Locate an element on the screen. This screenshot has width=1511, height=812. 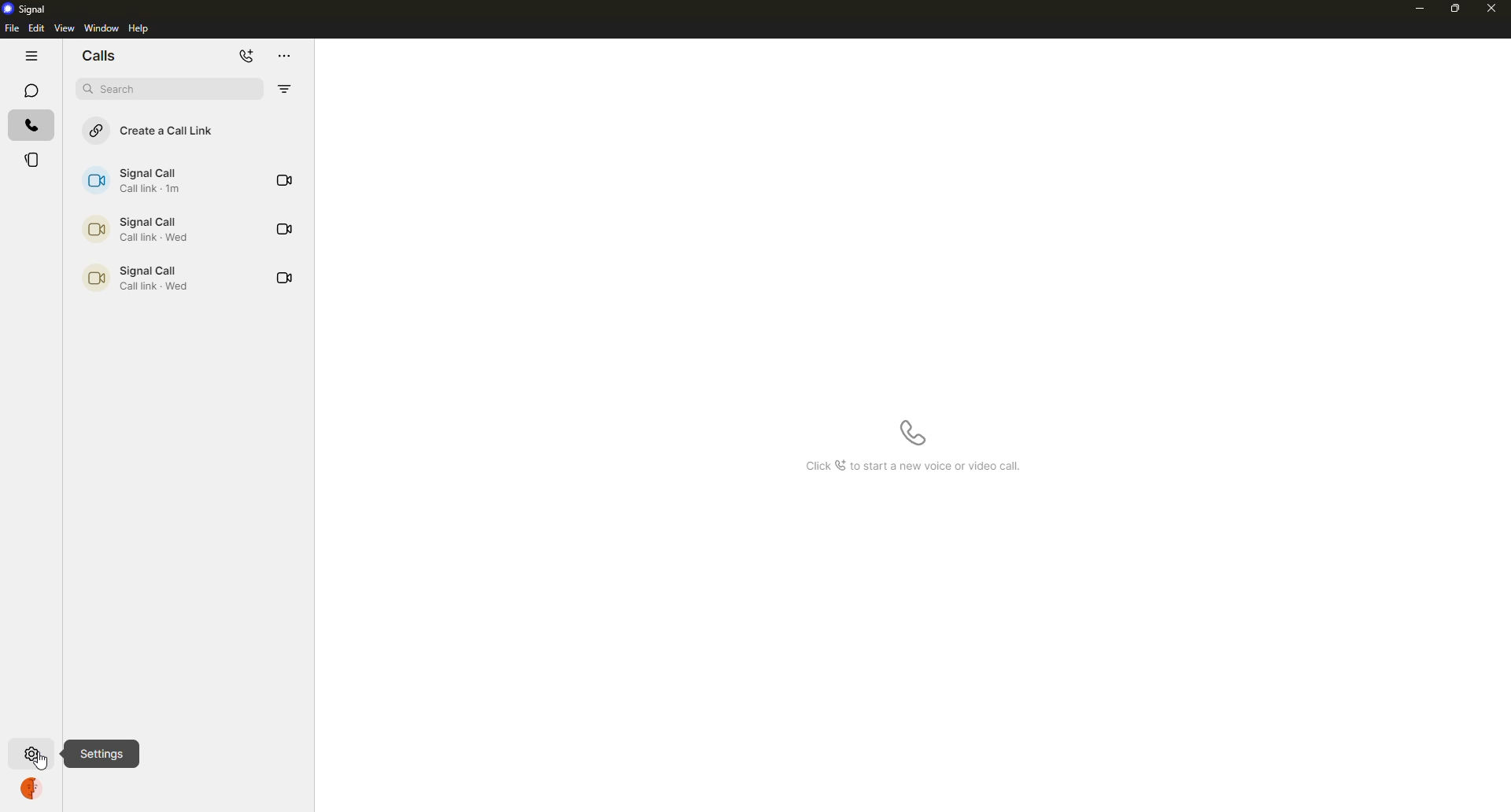
call link is located at coordinates (132, 229).